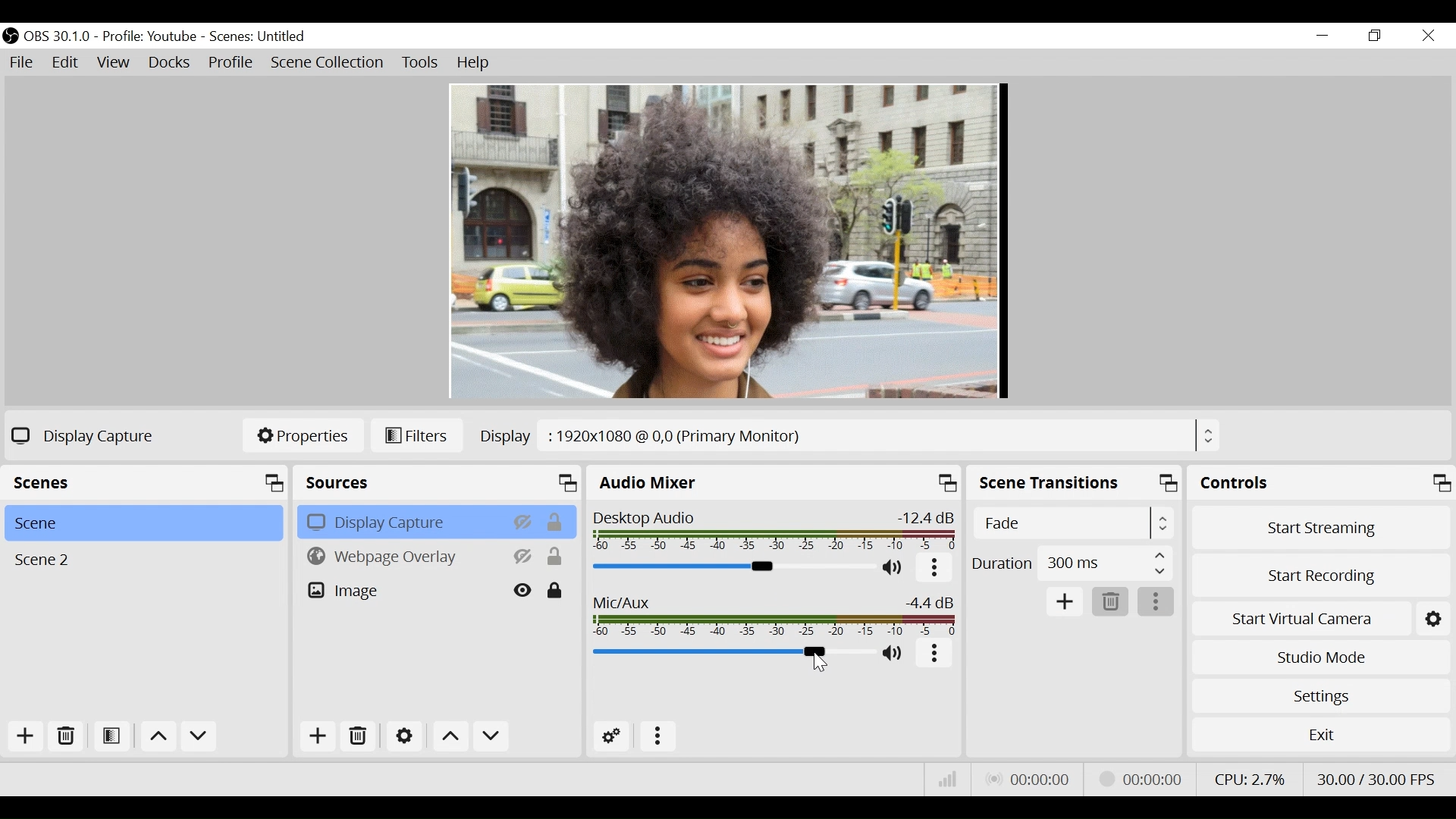 This screenshot has width=1456, height=819. Describe the element at coordinates (113, 63) in the screenshot. I see `View` at that location.